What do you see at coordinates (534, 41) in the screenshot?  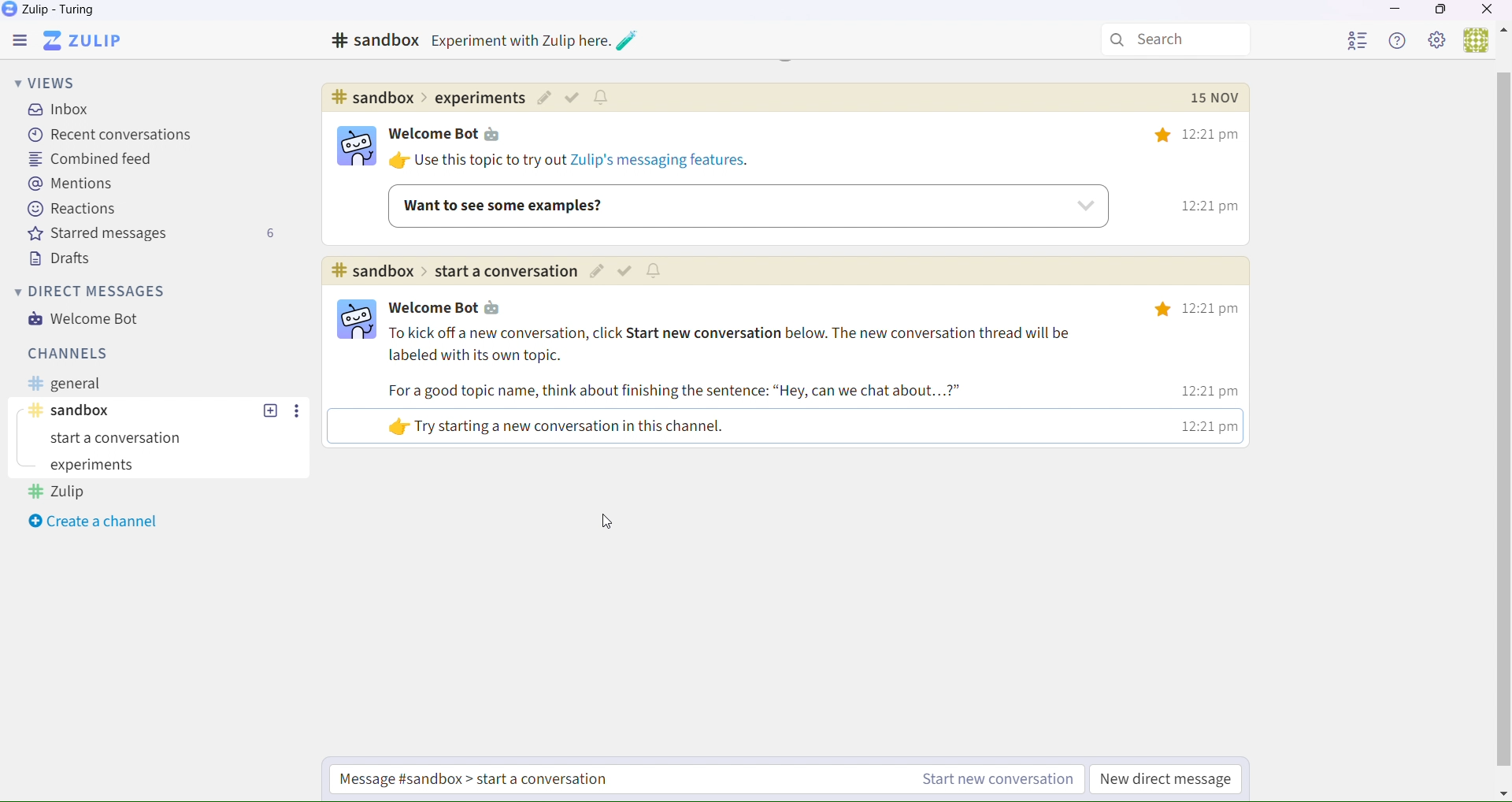 I see `` at bounding box center [534, 41].